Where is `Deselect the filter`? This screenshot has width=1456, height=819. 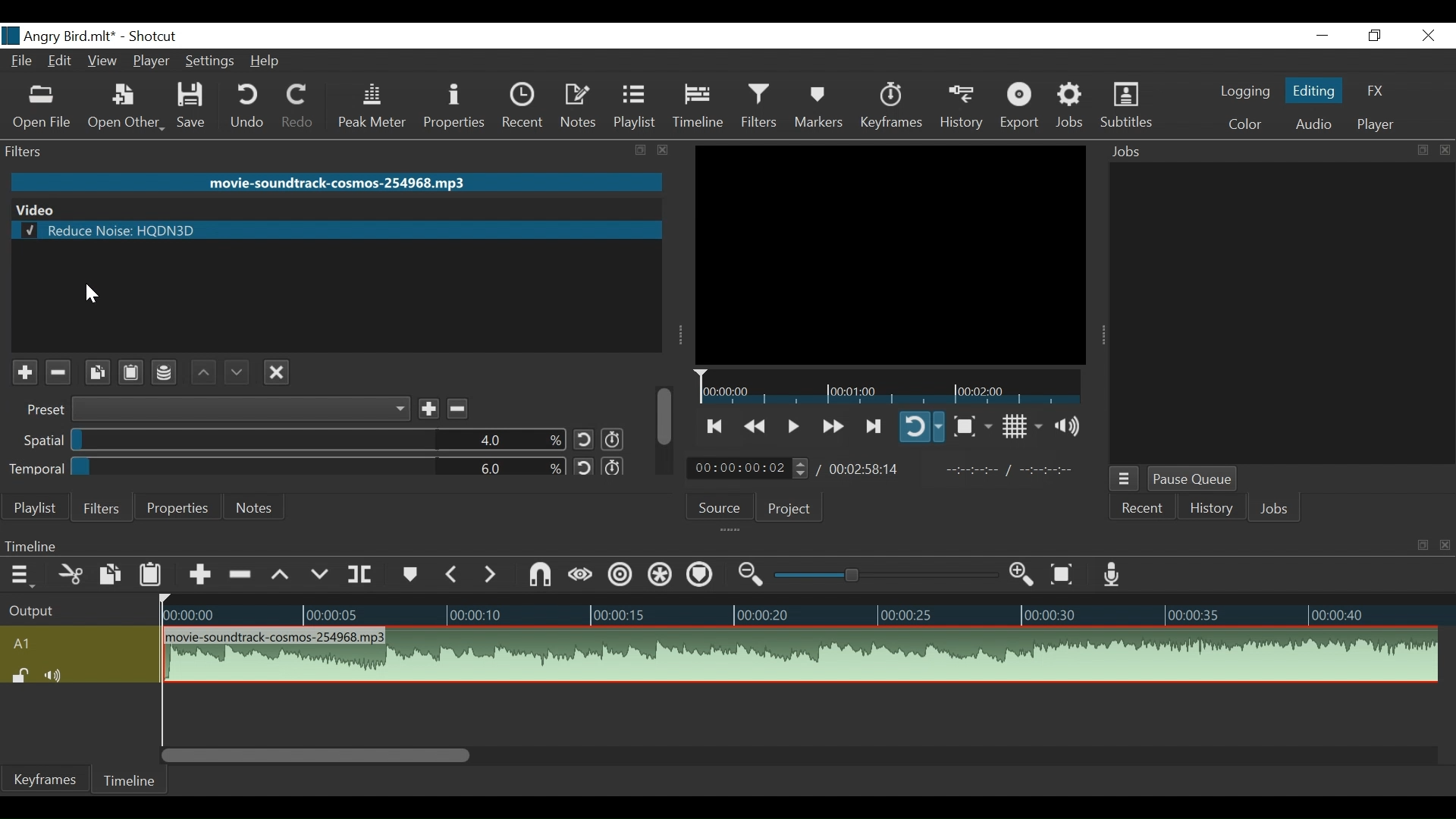 Deselect the filter is located at coordinates (275, 372).